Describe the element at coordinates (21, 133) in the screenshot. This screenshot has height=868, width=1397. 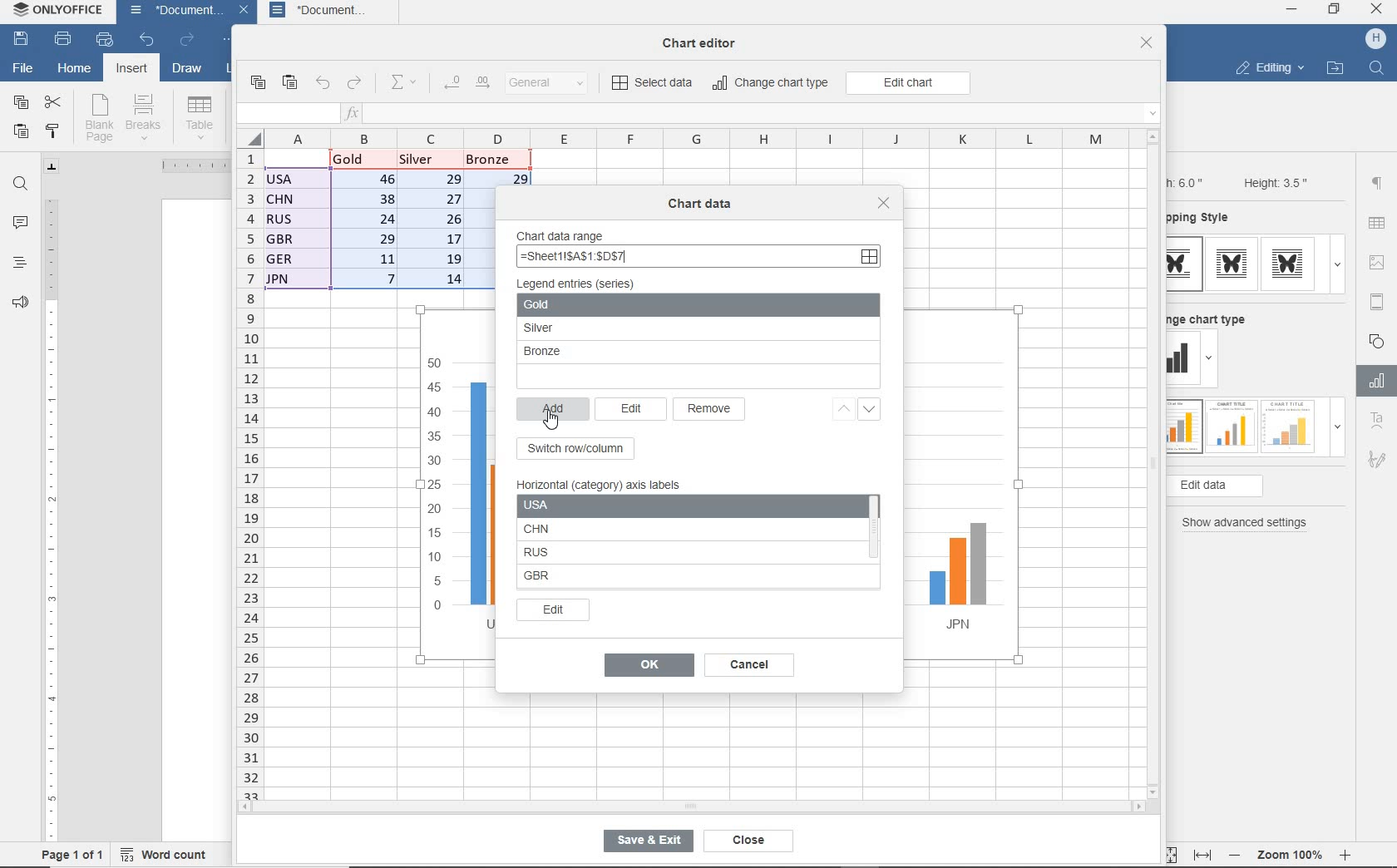
I see `paste` at that location.